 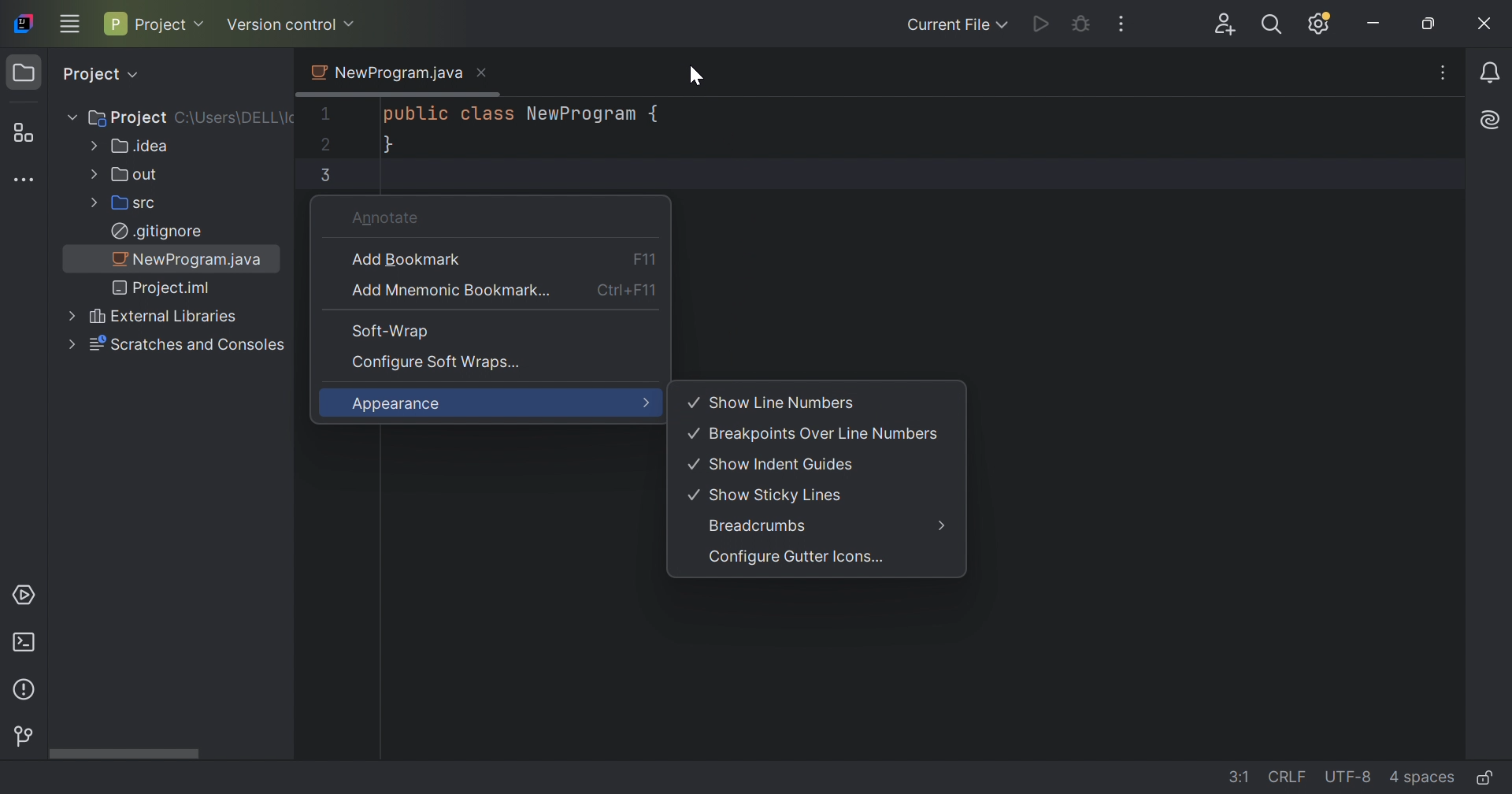 I want to click on More, so click(x=644, y=404).